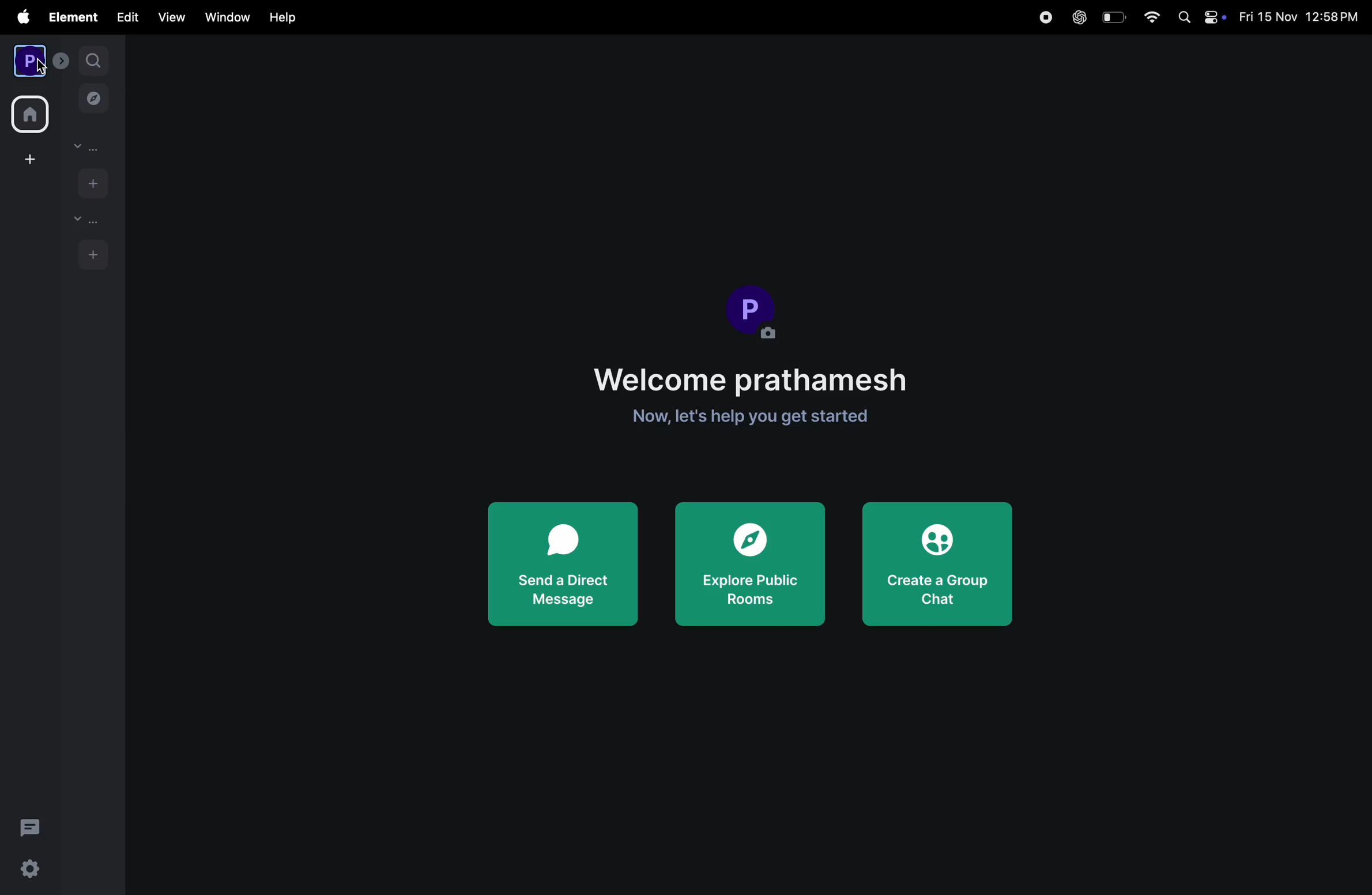  I want to click on quick settings, so click(29, 870).